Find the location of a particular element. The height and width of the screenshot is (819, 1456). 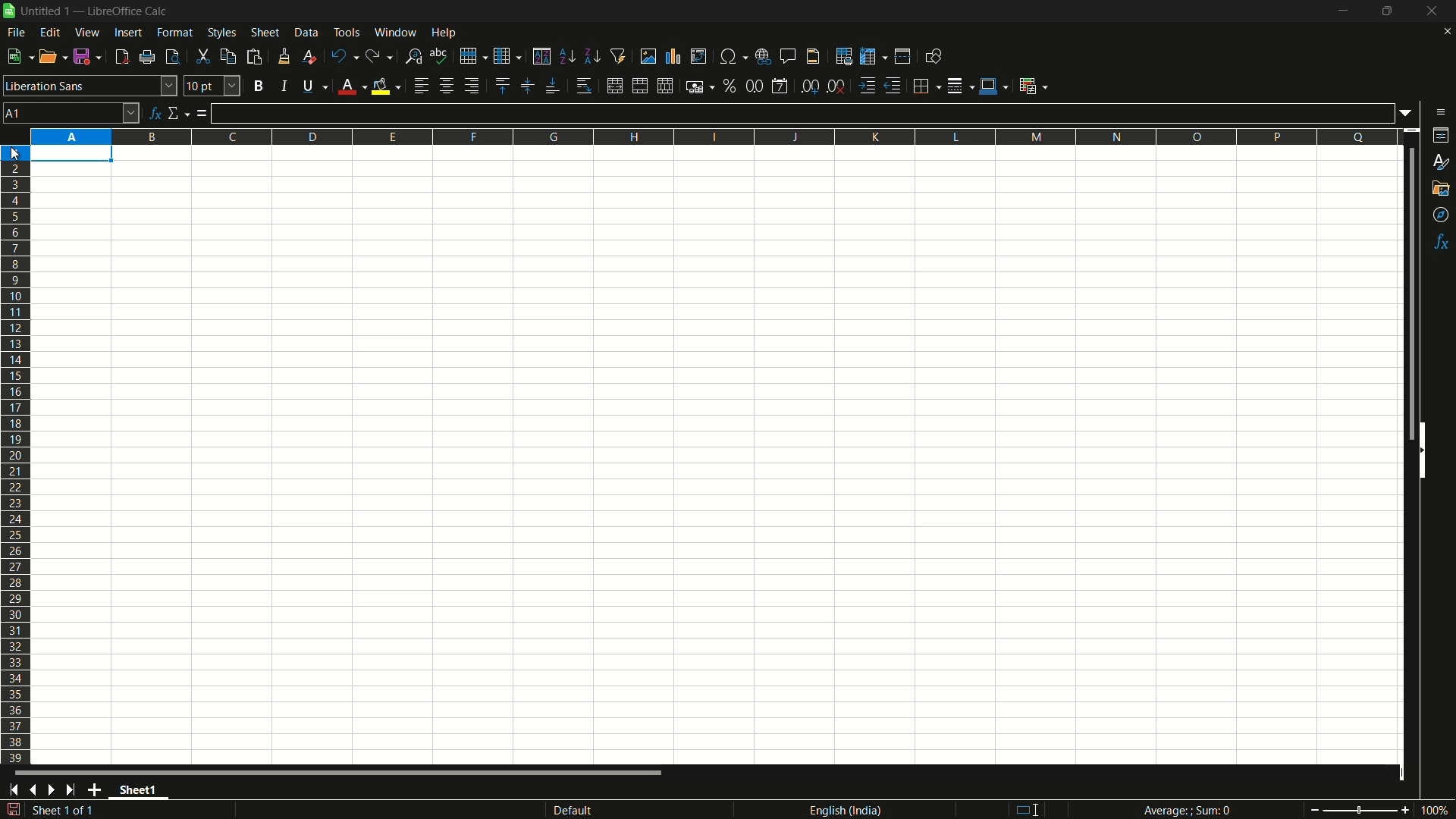

delete decimal place is located at coordinates (837, 86).